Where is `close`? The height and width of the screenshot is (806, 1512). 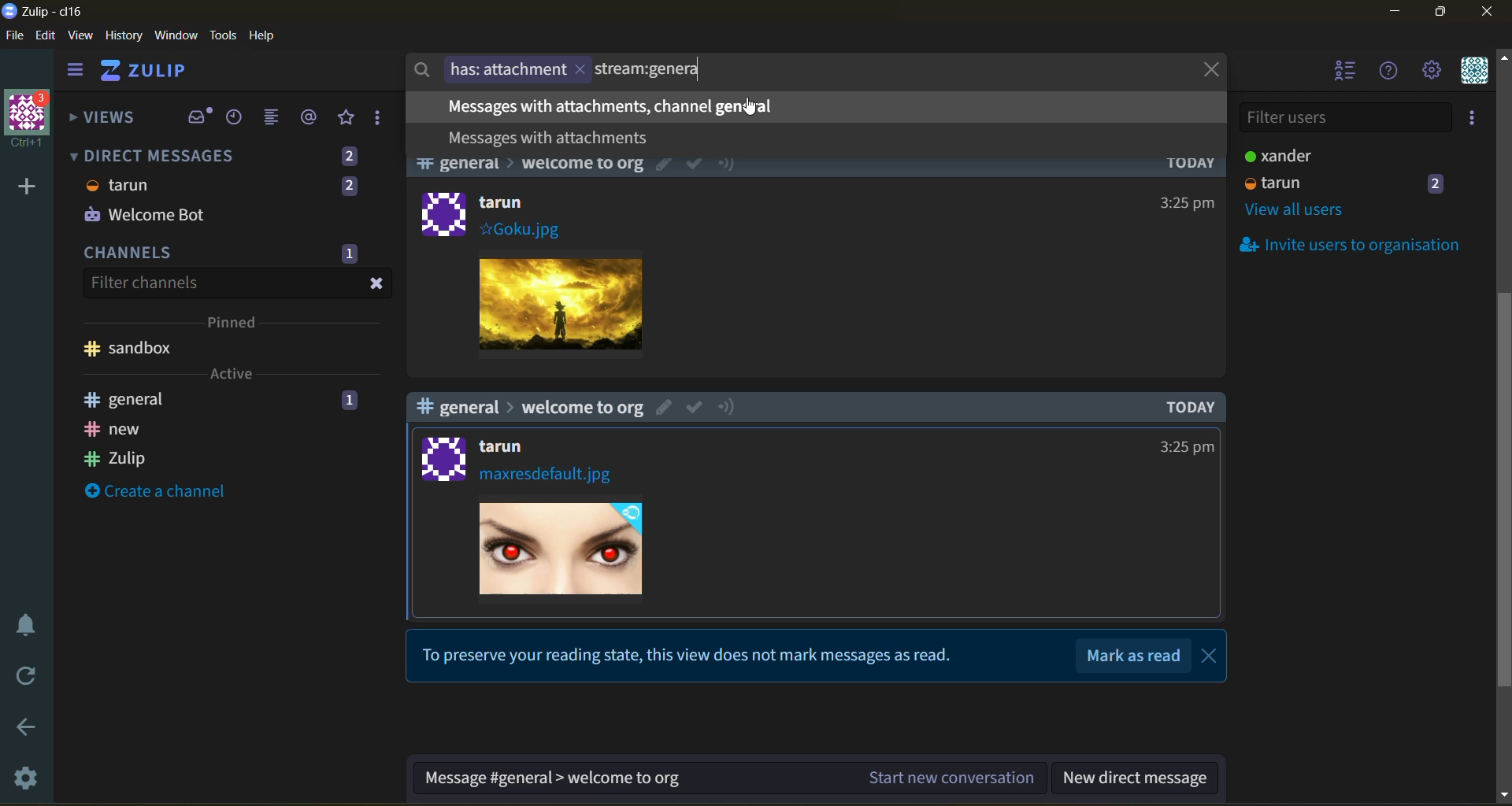
close is located at coordinates (1209, 68).